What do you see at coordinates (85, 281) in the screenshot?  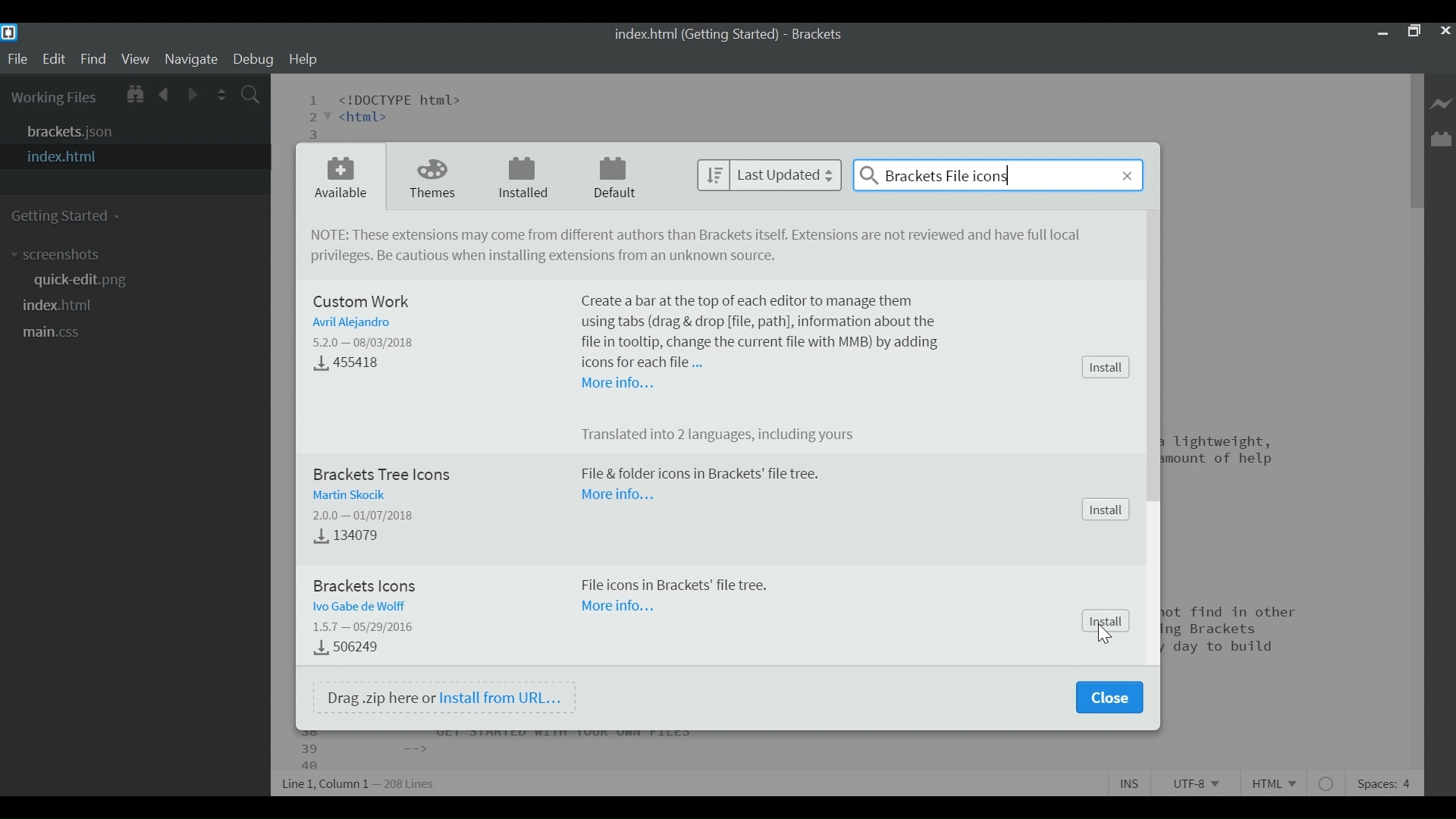 I see `quickedit.png` at bounding box center [85, 281].